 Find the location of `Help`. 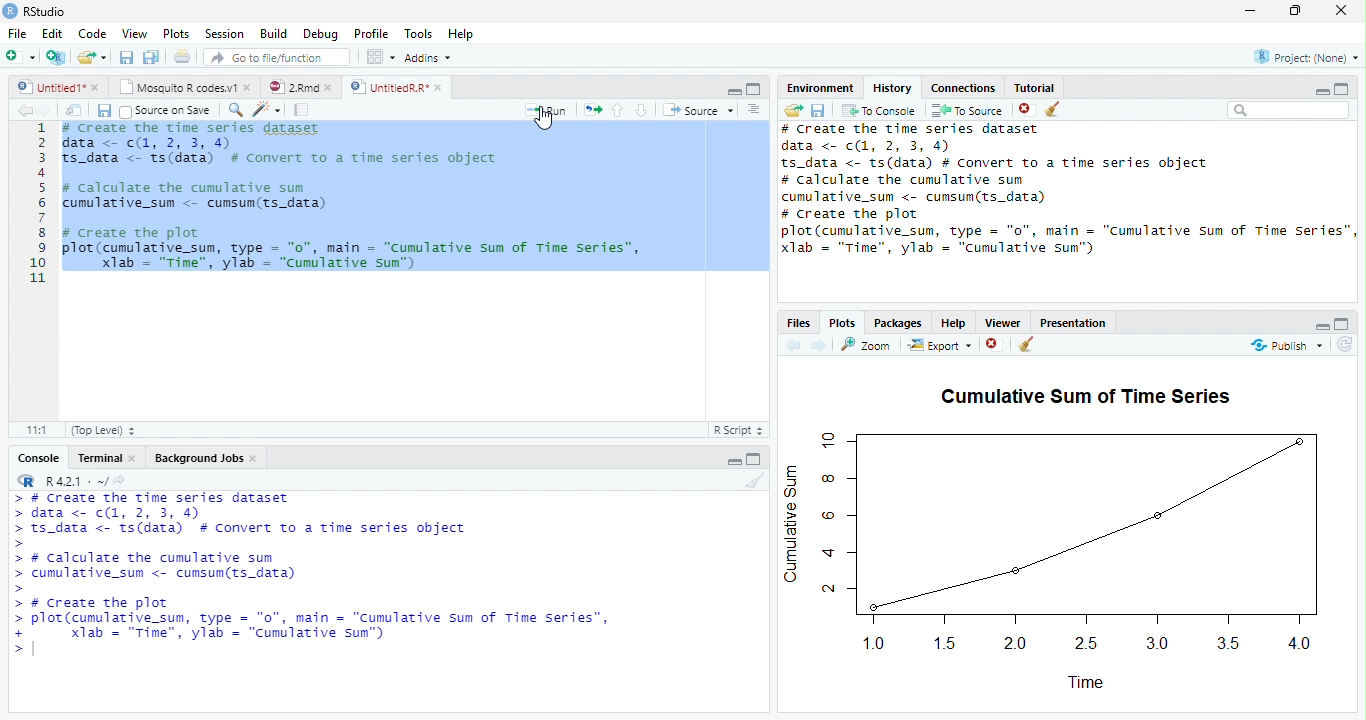

Help is located at coordinates (953, 324).